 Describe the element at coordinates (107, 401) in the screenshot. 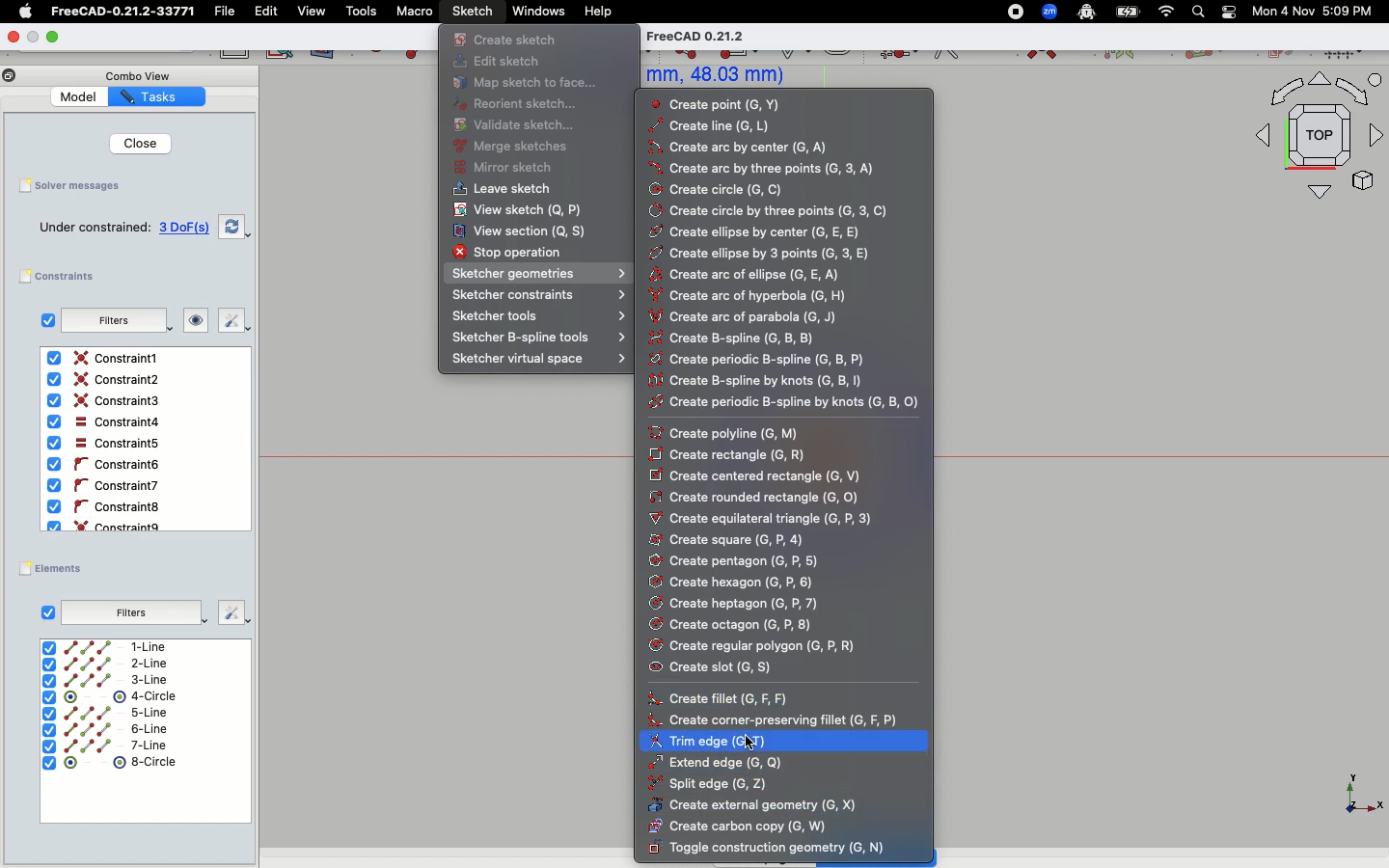

I see `Contraint3` at that location.